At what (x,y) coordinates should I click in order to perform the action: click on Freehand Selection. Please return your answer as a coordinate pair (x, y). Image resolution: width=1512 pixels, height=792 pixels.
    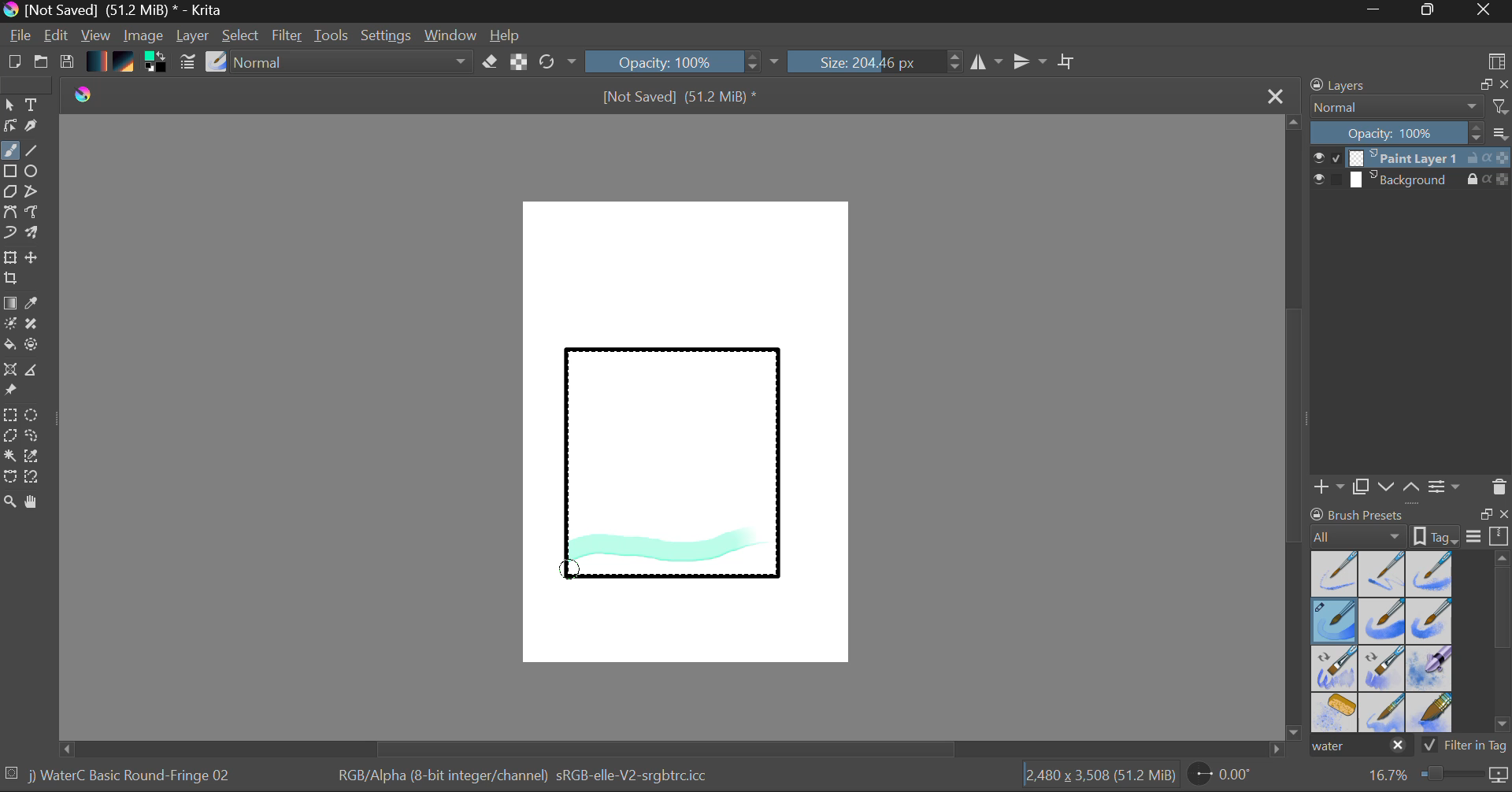
    Looking at the image, I should click on (32, 438).